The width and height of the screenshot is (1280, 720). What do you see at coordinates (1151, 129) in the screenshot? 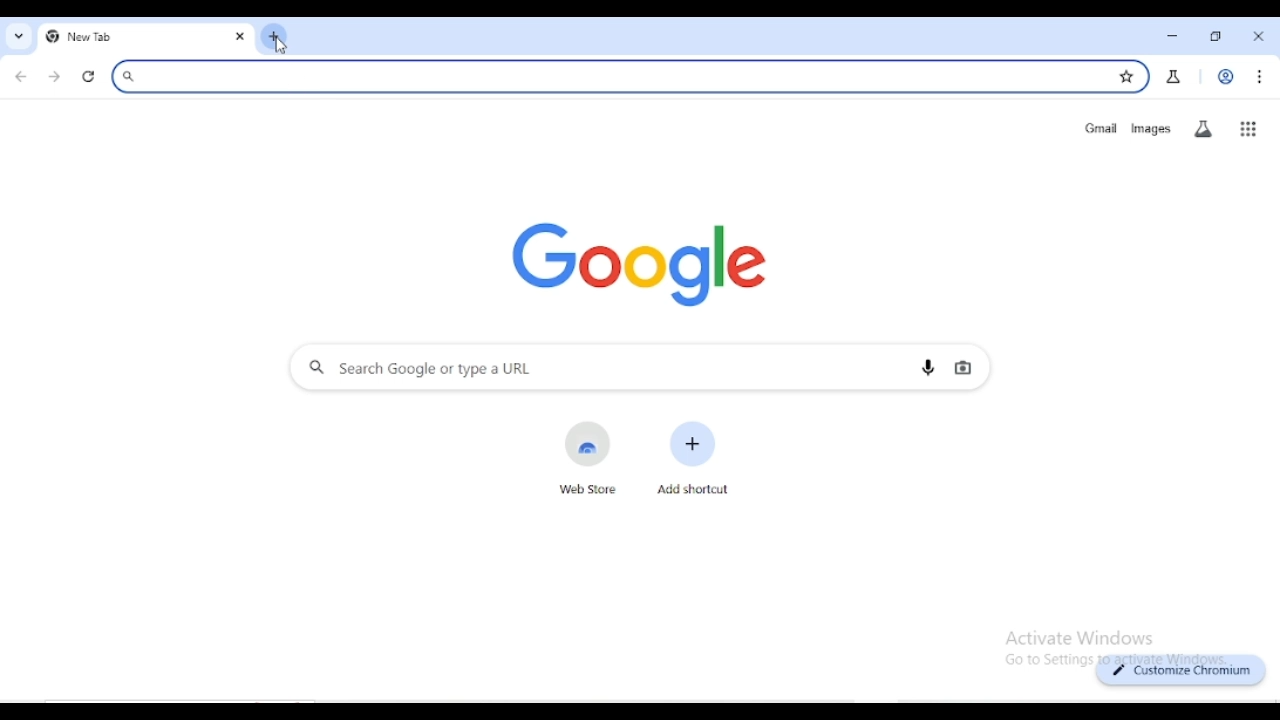
I see `images` at bounding box center [1151, 129].